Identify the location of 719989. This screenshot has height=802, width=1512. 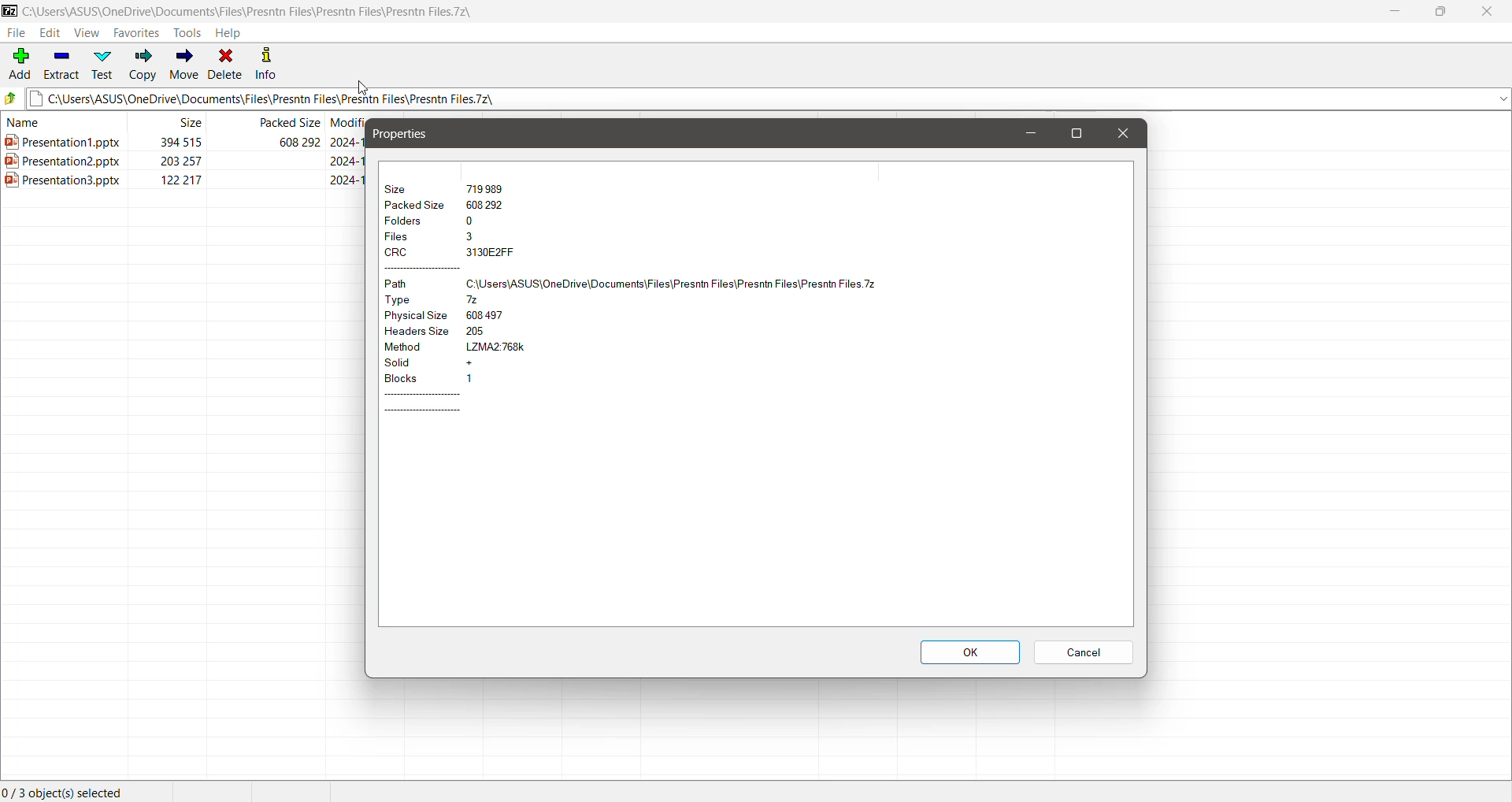
(487, 188).